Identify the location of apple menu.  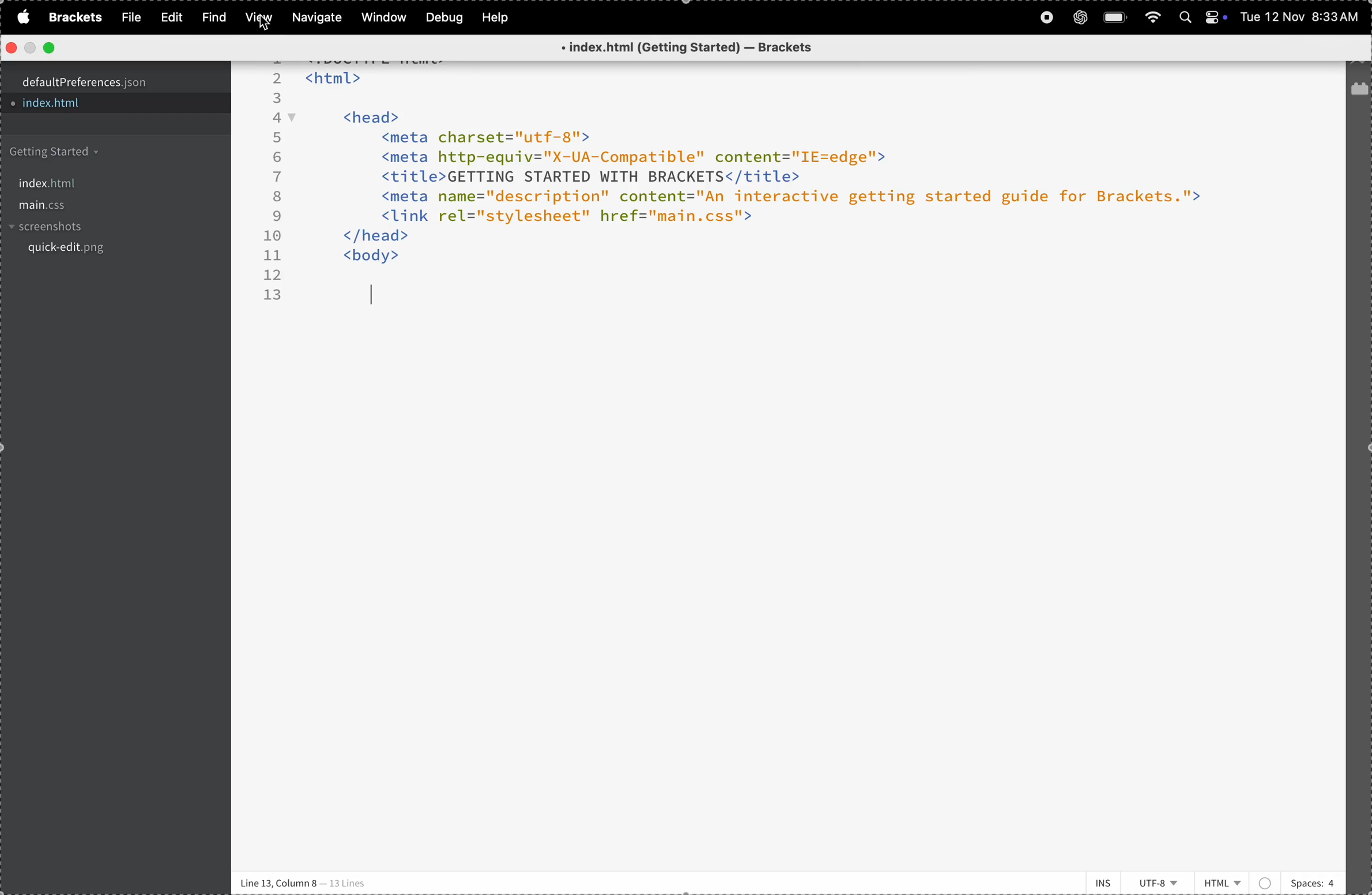
(20, 17).